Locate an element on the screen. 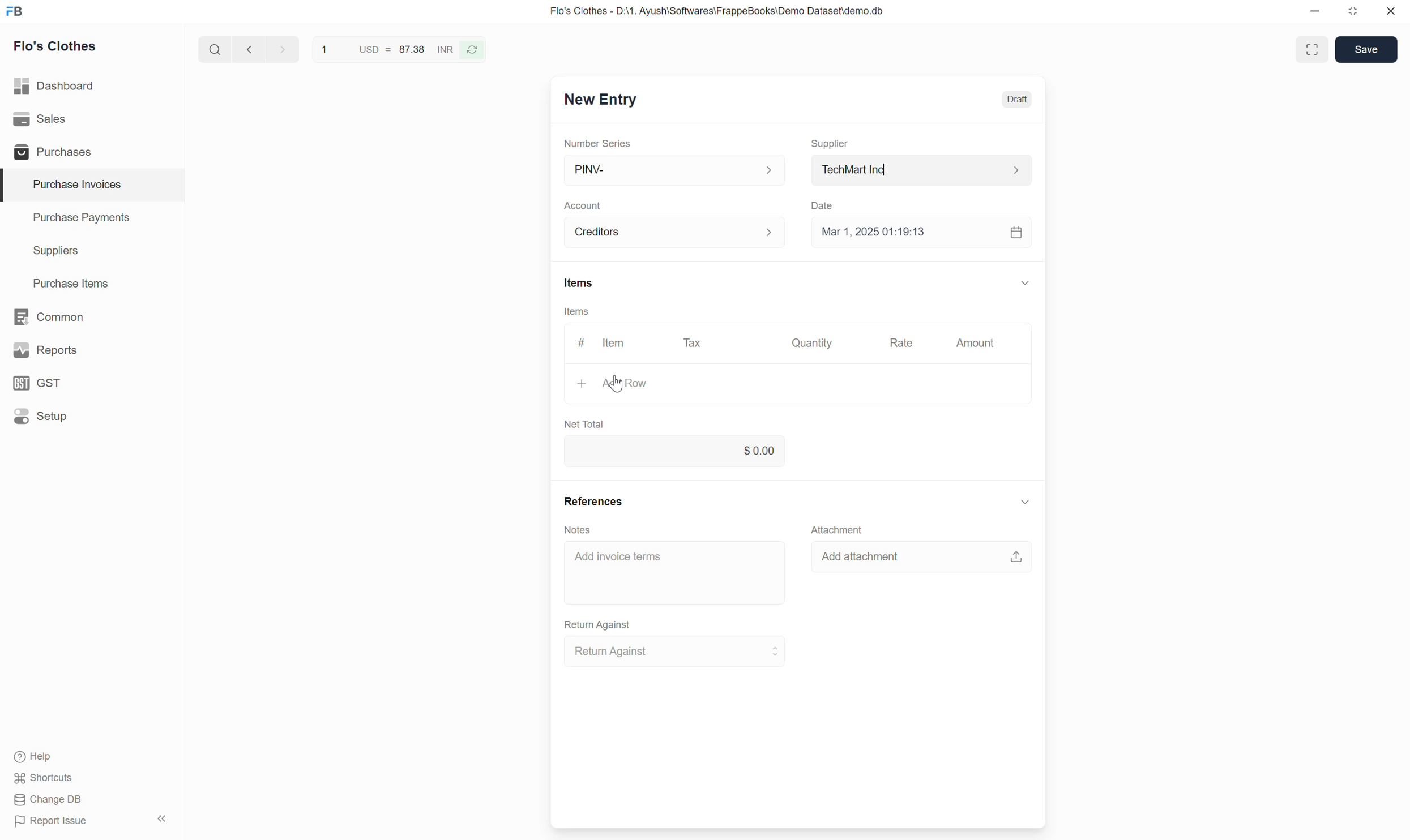 The width and height of the screenshot is (1410, 840). Items is located at coordinates (576, 311).